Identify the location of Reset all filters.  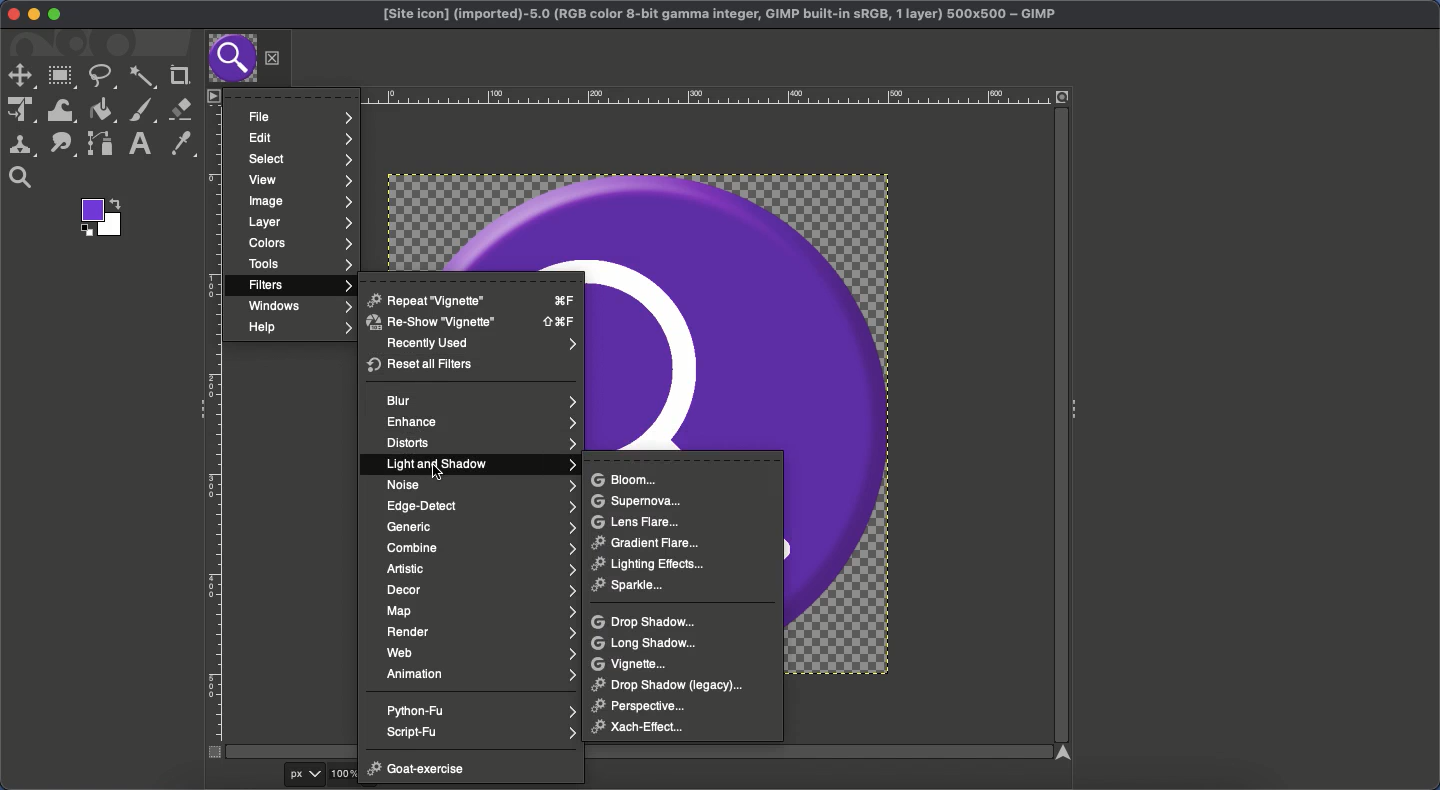
(422, 365).